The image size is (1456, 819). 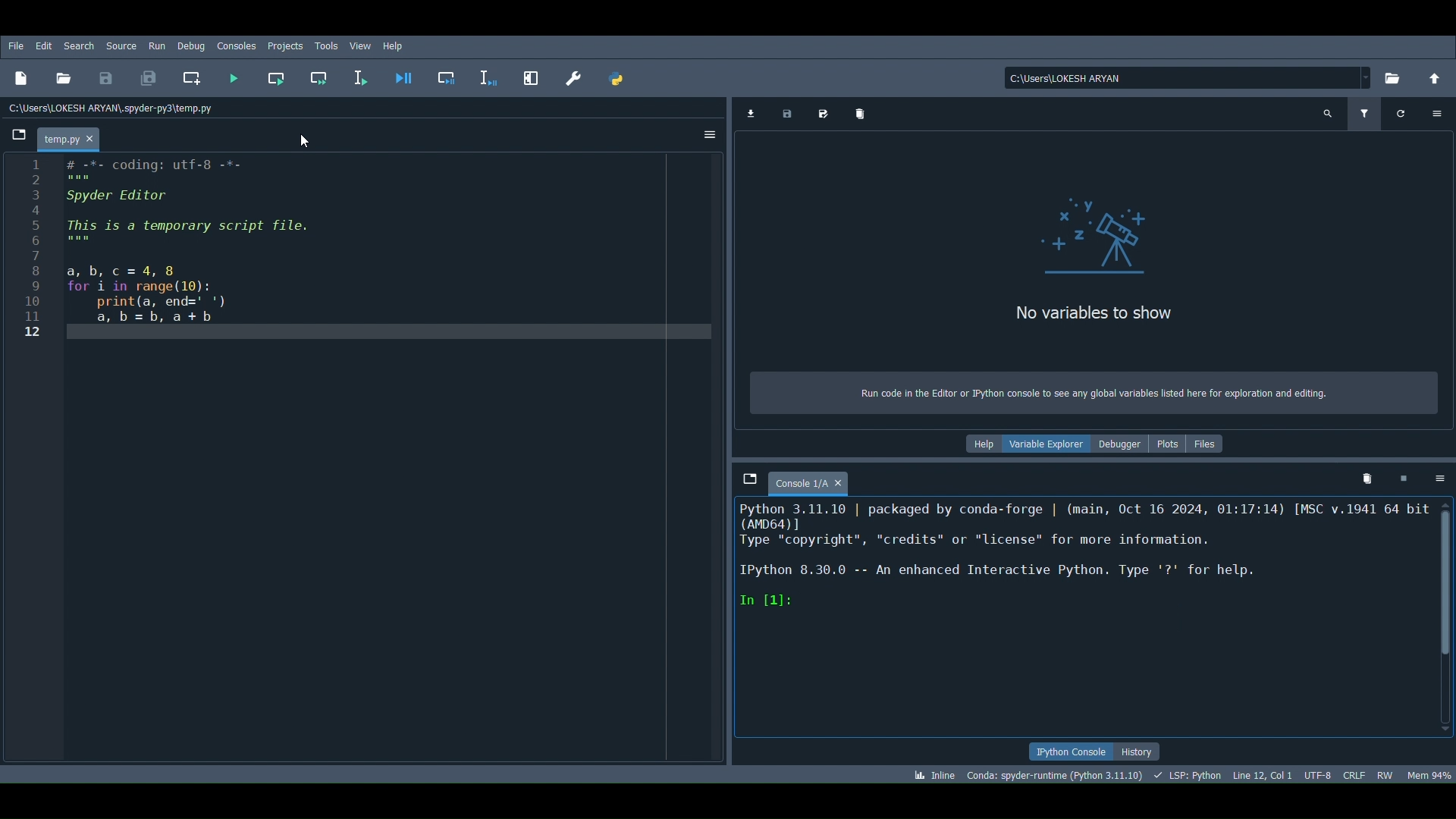 I want to click on PYTHONPATH manager, so click(x=619, y=80).